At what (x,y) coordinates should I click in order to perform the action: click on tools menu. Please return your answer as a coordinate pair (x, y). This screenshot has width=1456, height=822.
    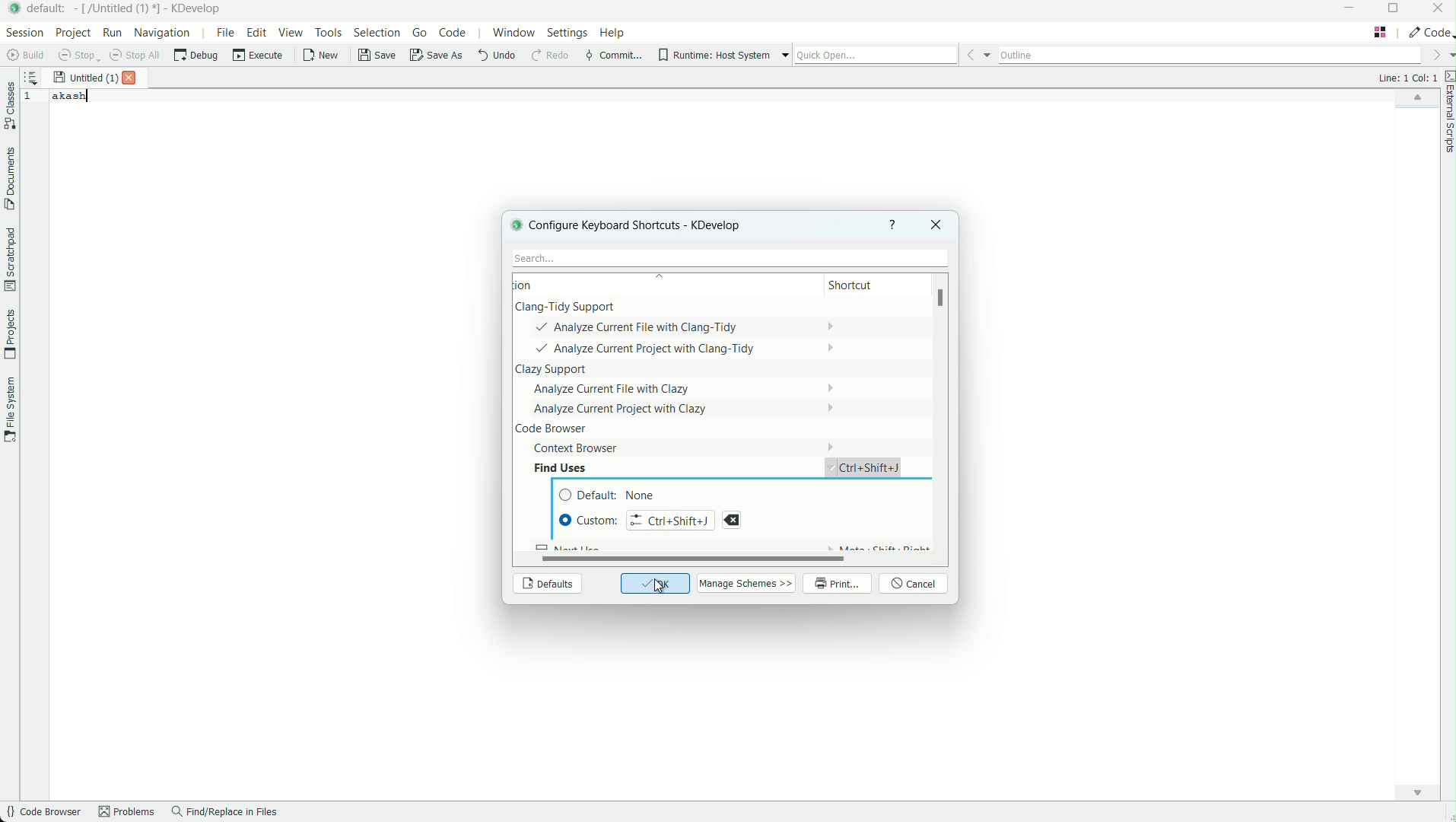
    Looking at the image, I should click on (328, 32).